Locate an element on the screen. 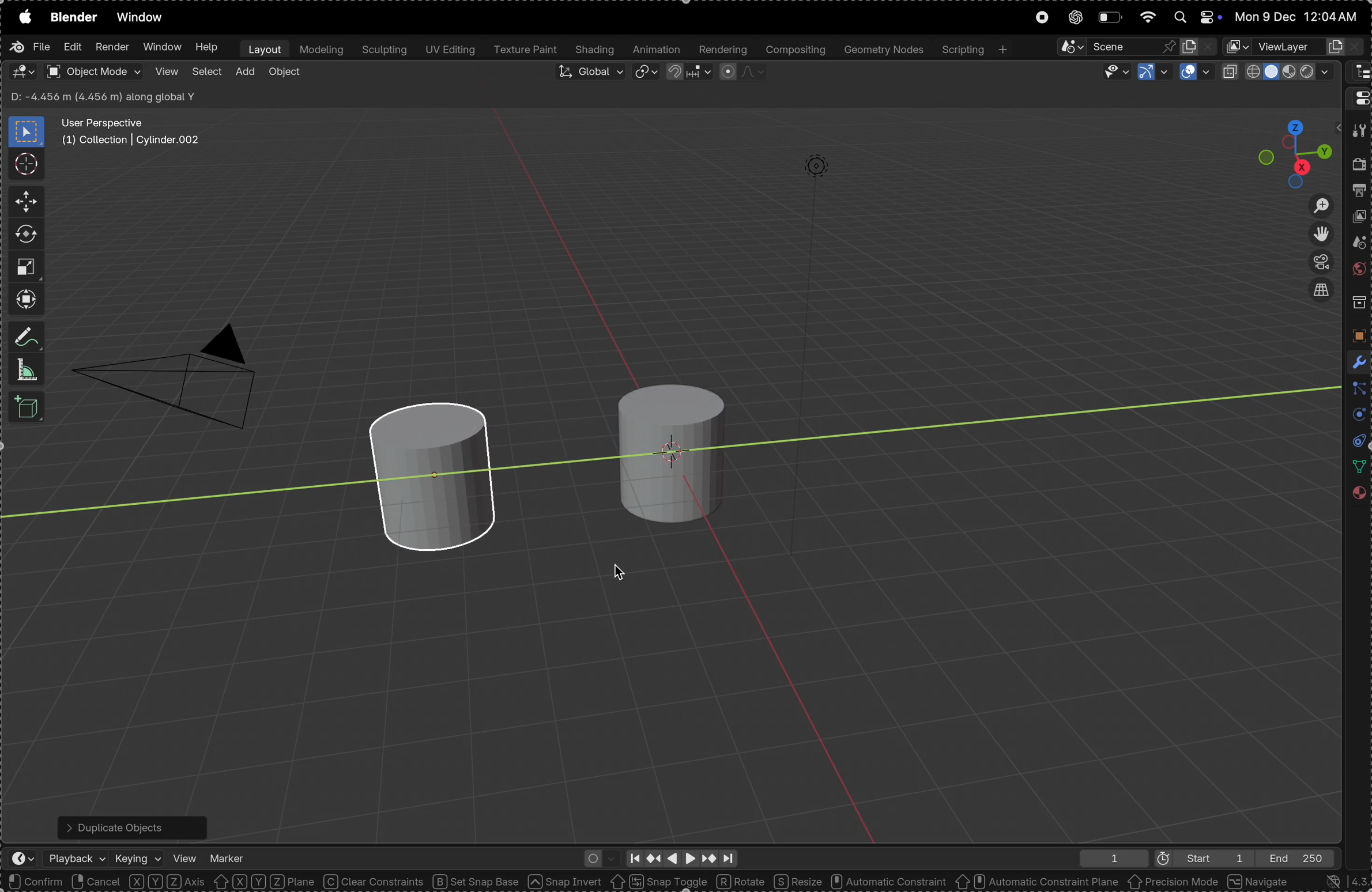  editor type is located at coordinates (17, 860).